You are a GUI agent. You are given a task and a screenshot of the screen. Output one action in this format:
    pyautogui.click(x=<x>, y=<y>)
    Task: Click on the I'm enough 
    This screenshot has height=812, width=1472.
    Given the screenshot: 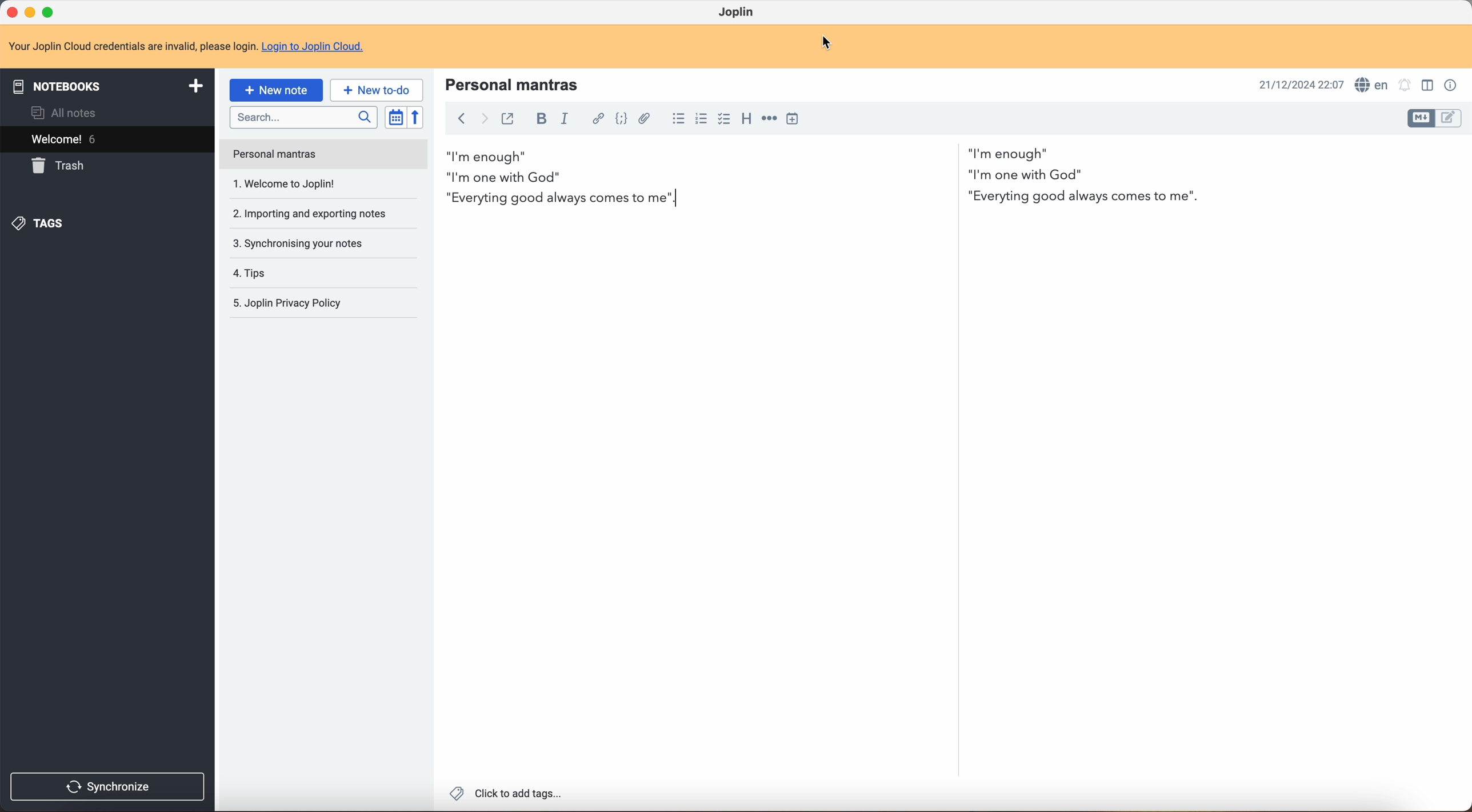 What is the action you would take?
    pyautogui.click(x=750, y=153)
    